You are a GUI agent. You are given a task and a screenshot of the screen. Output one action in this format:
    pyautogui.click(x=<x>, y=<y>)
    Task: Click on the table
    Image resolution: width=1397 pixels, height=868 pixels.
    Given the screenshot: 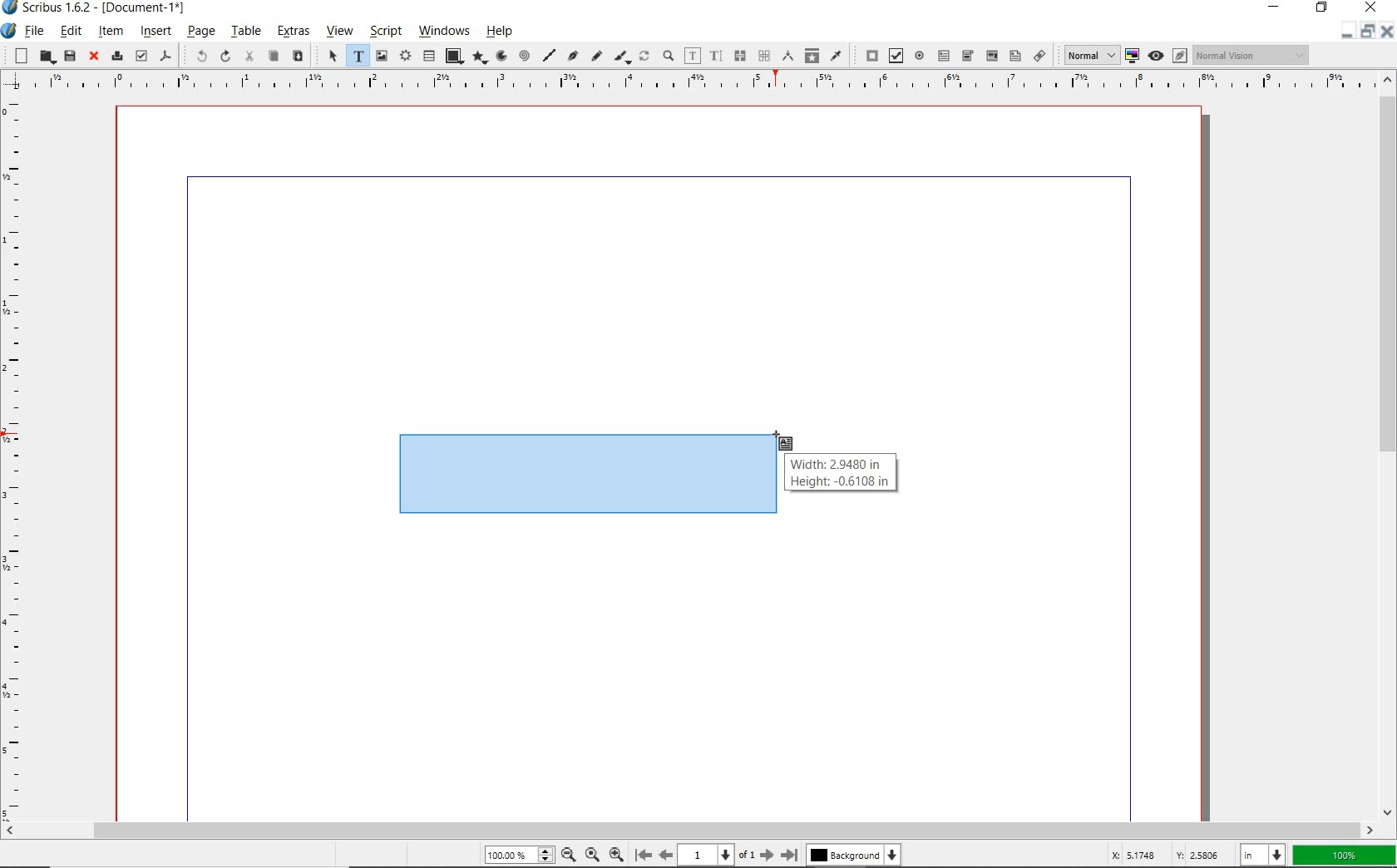 What is the action you would take?
    pyautogui.click(x=429, y=57)
    